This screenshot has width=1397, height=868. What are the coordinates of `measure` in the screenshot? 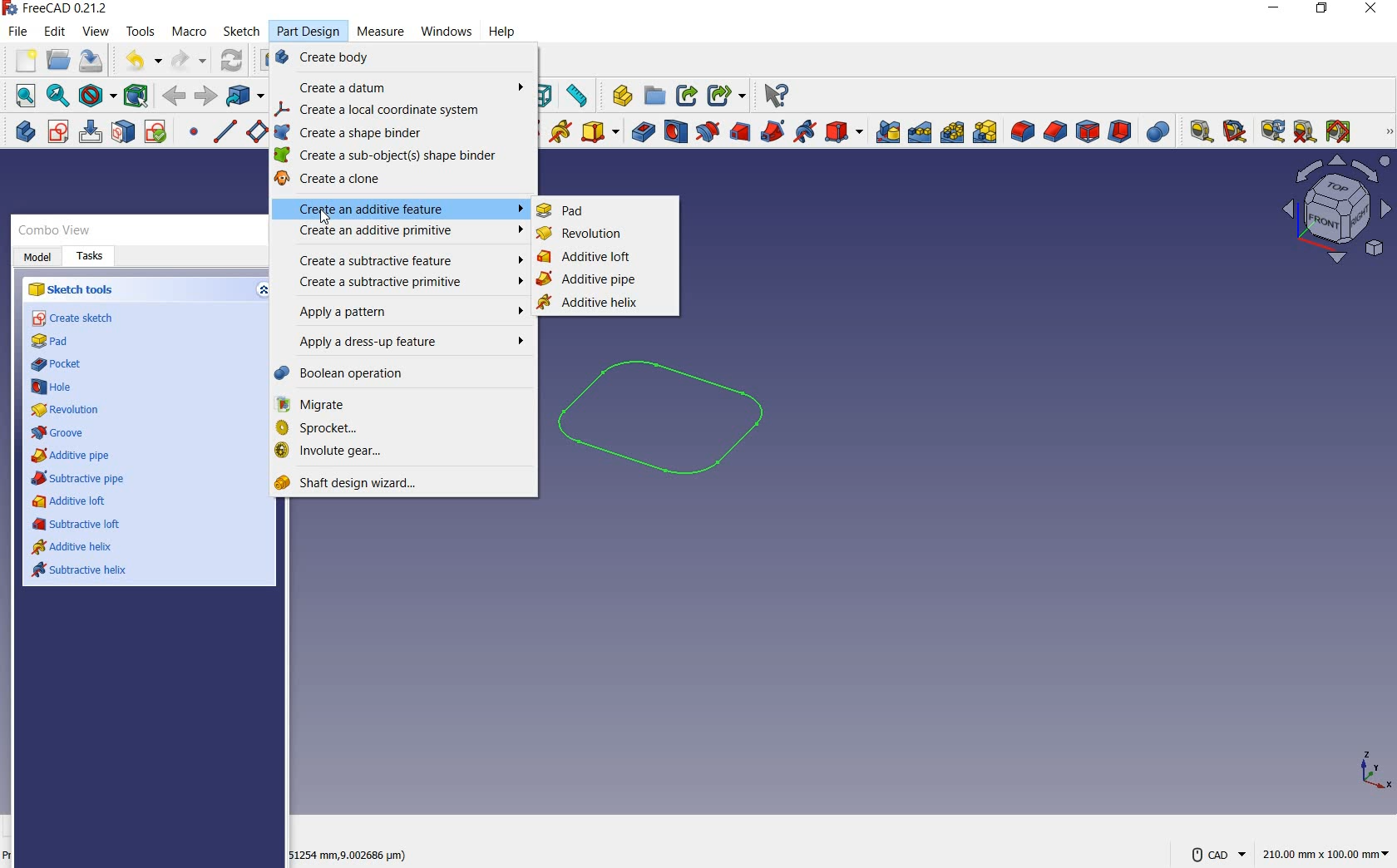 It's located at (1386, 132).